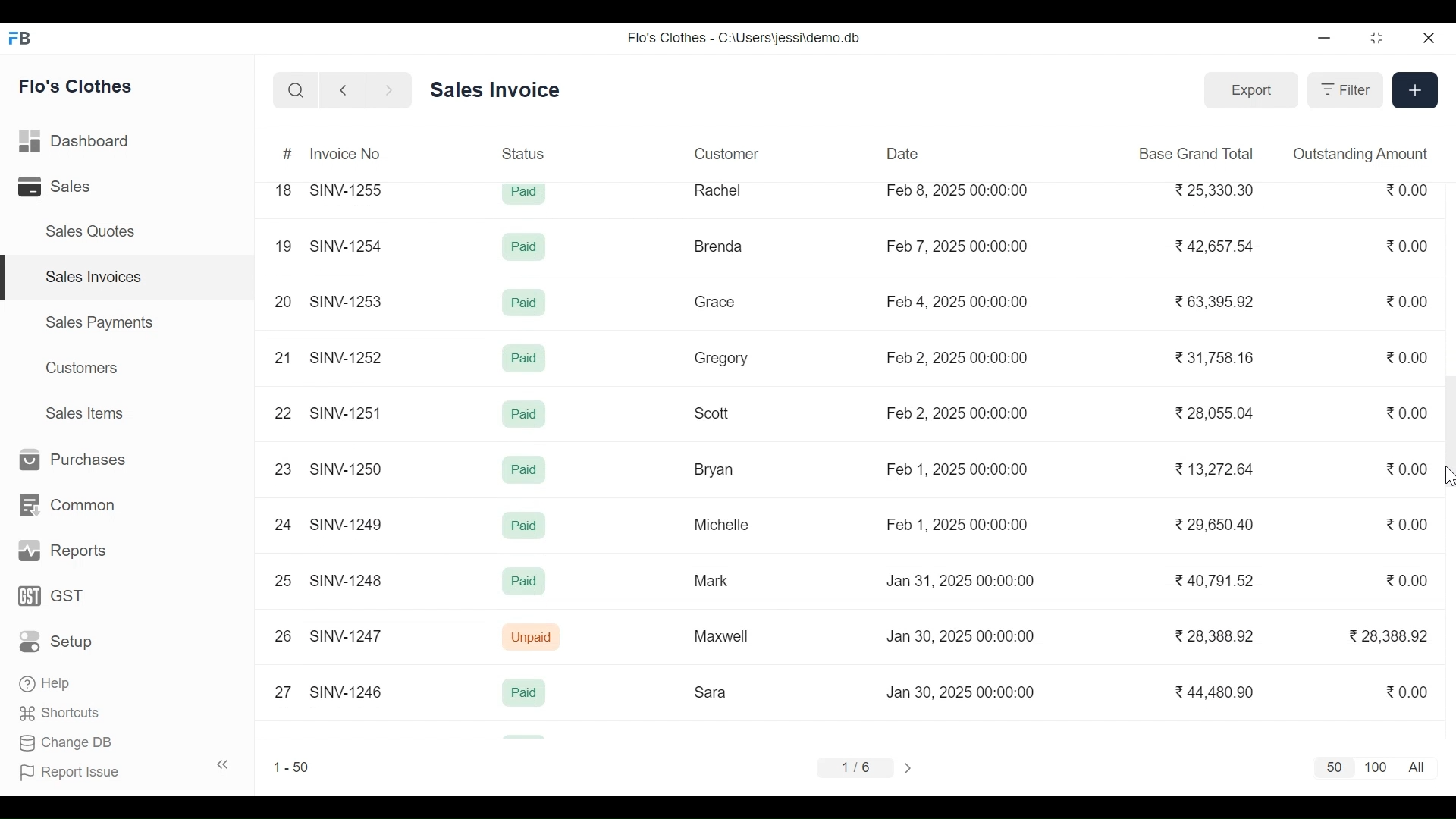  Describe the element at coordinates (282, 357) in the screenshot. I see `21` at that location.